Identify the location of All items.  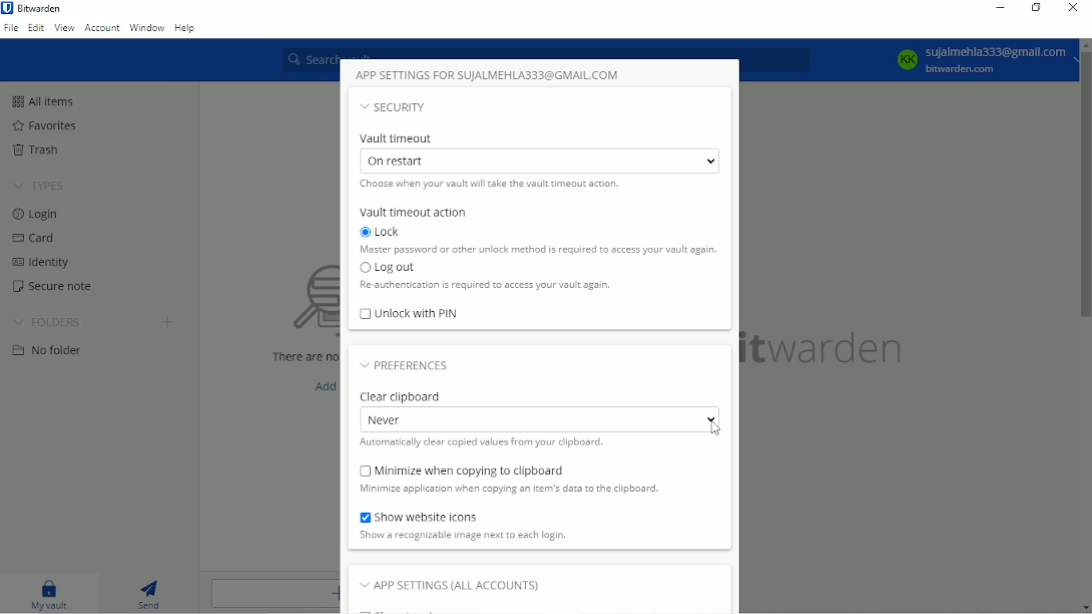
(42, 100).